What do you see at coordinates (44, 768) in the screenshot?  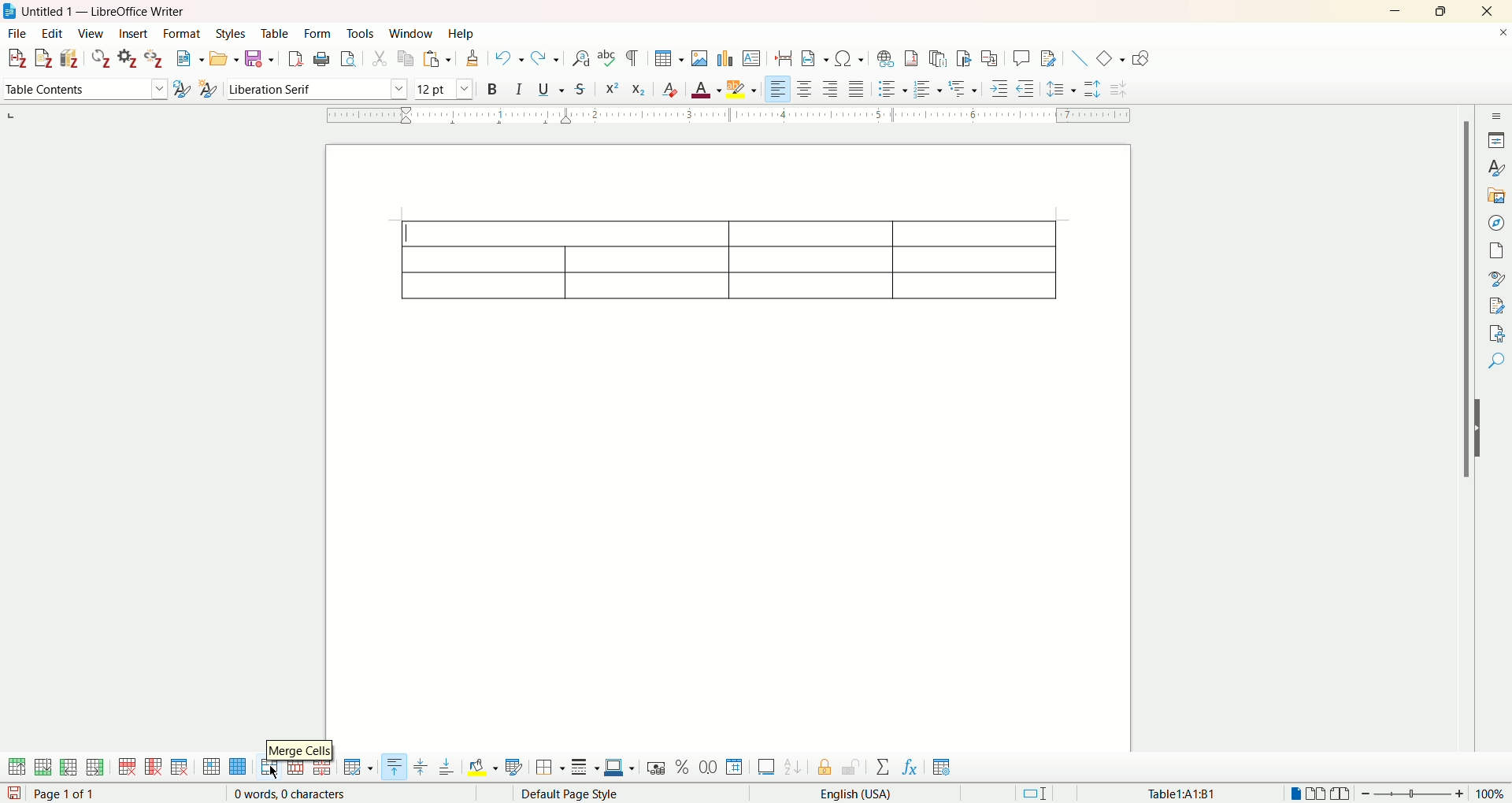 I see `insert row below` at bounding box center [44, 768].